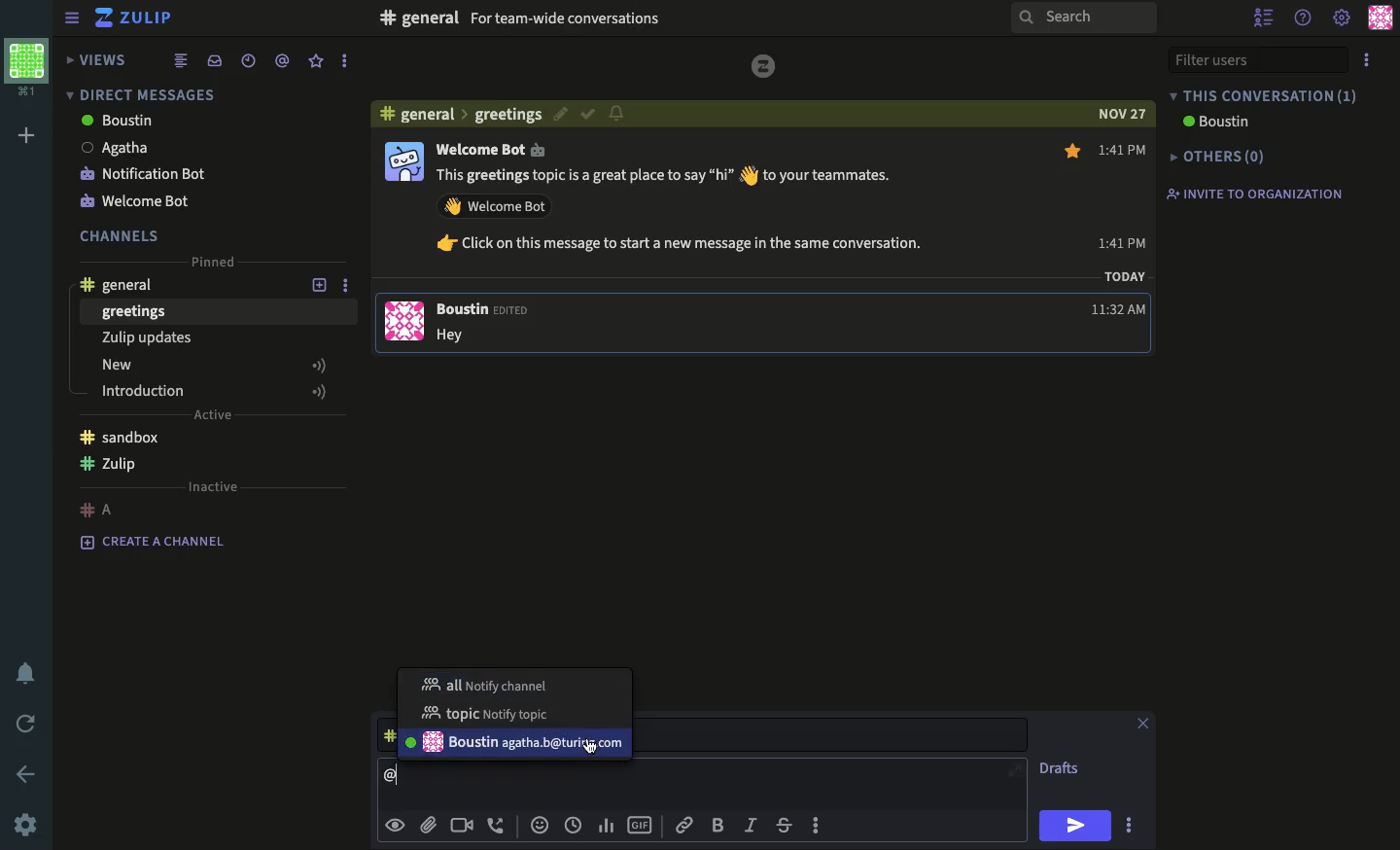 The height and width of the screenshot is (850, 1400). Describe the element at coordinates (398, 774) in the screenshot. I see `@` at that location.